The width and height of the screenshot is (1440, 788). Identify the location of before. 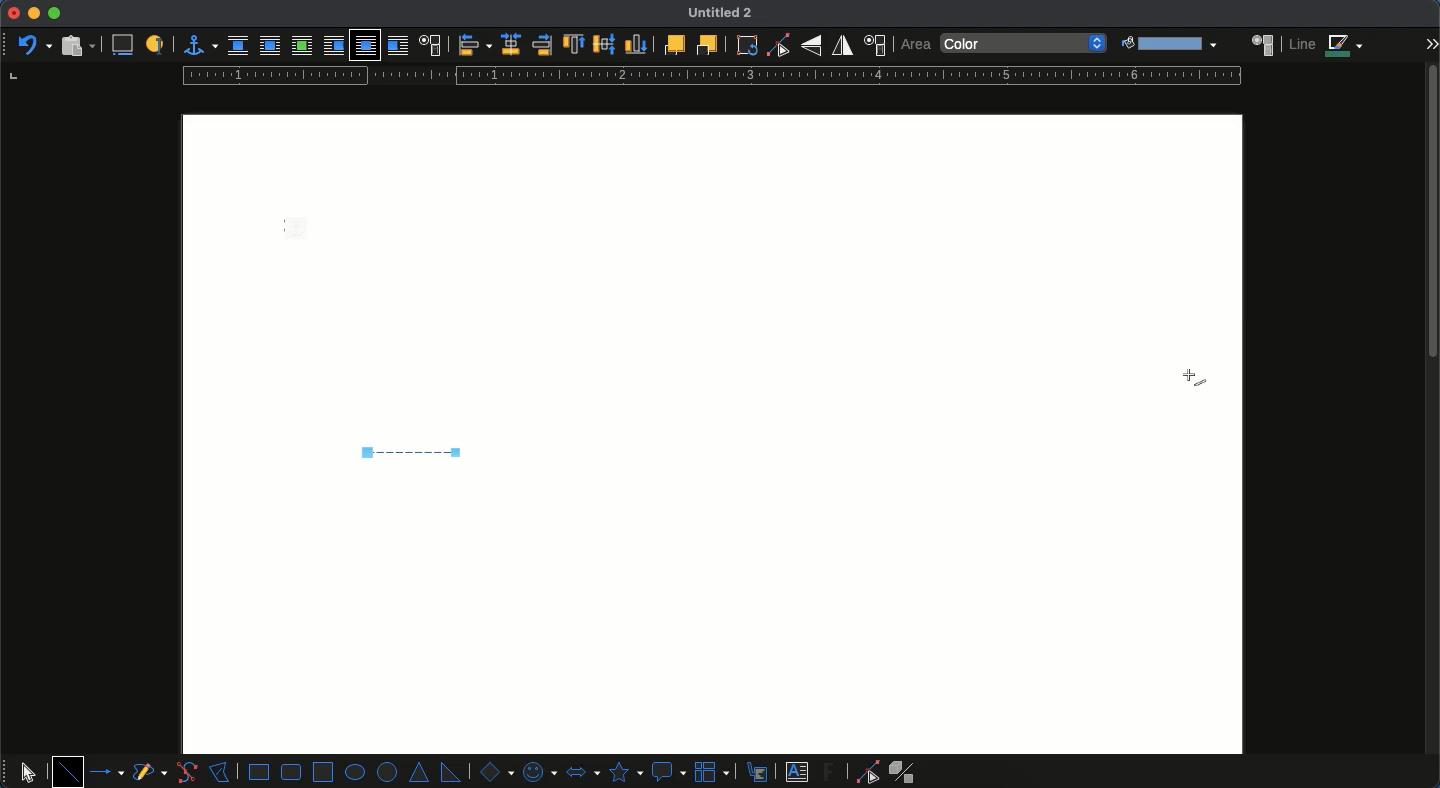
(333, 46).